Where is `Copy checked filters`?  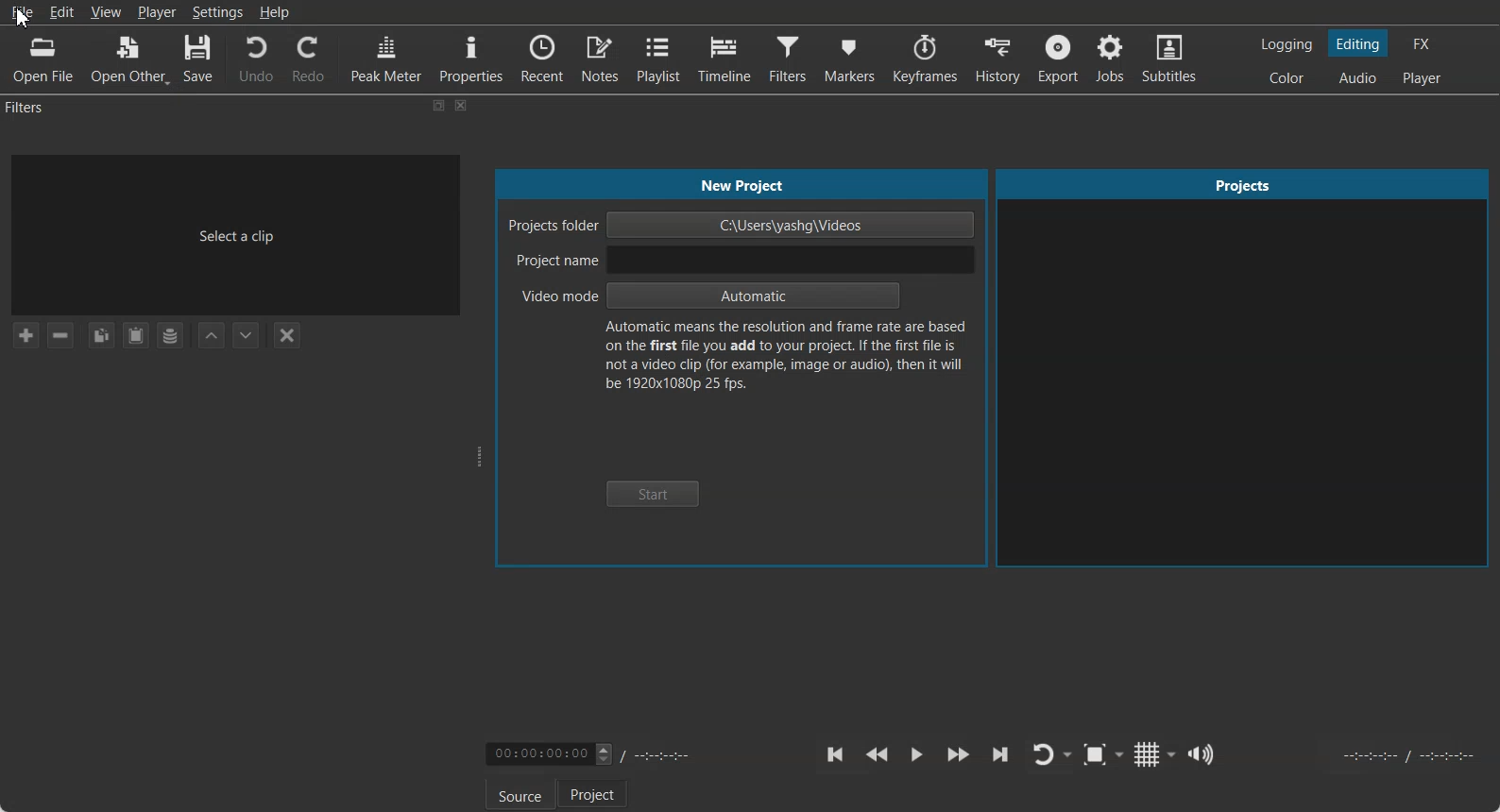 Copy checked filters is located at coordinates (101, 335).